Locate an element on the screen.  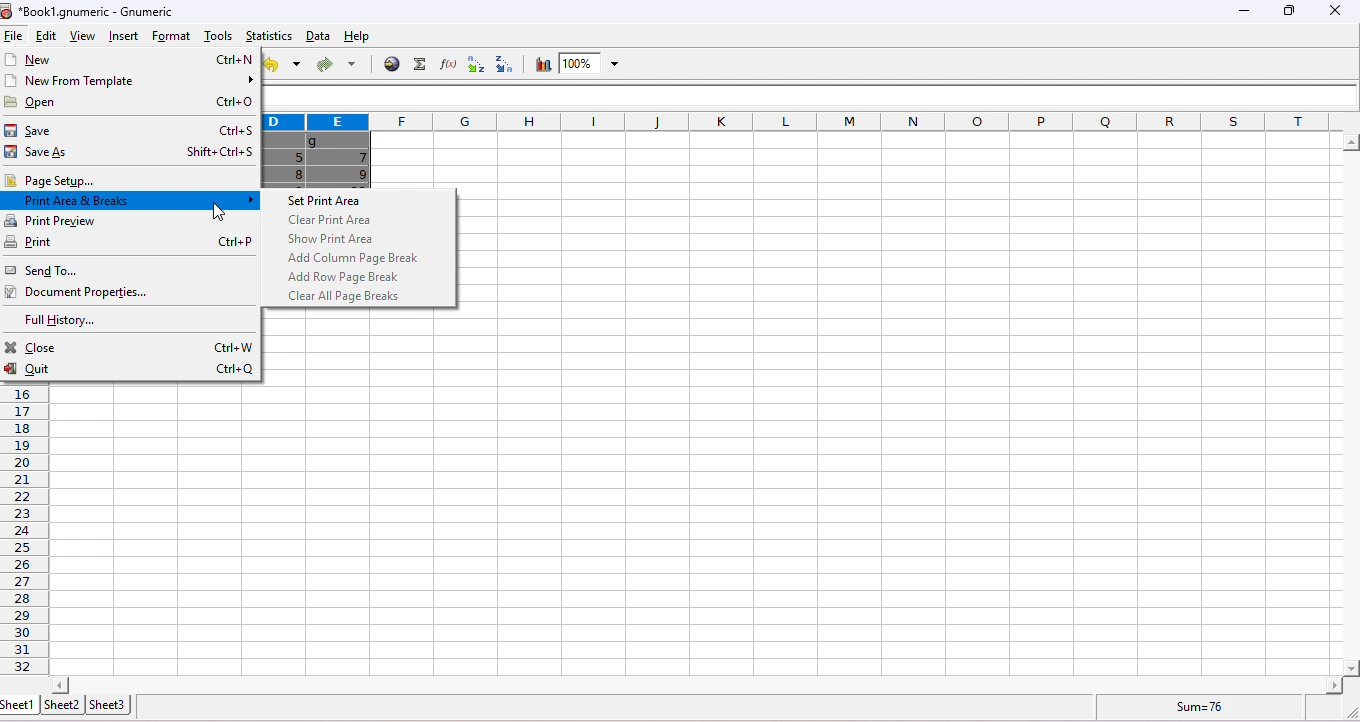
sort ascending is located at coordinates (472, 65).